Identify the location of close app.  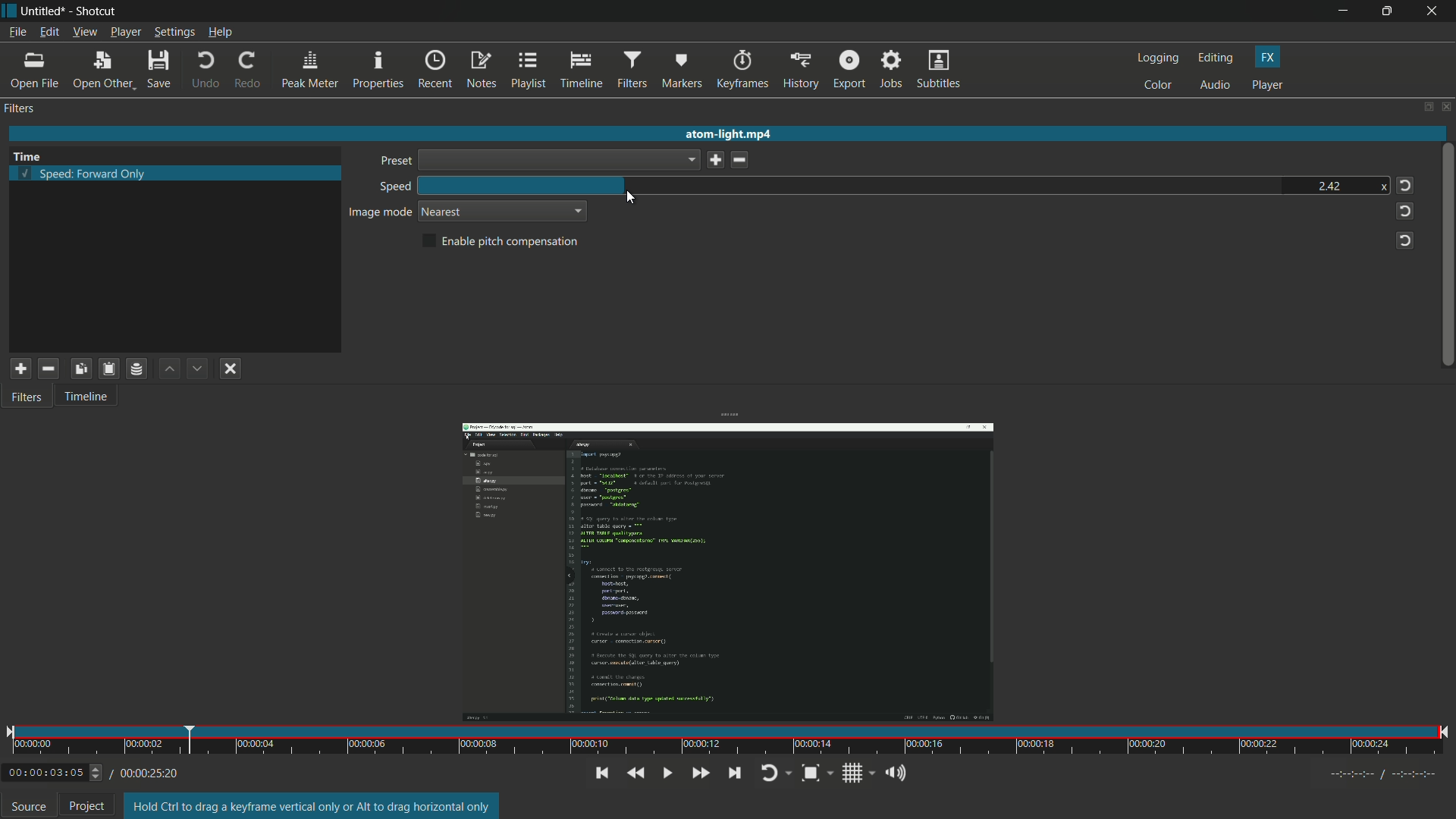
(1435, 11).